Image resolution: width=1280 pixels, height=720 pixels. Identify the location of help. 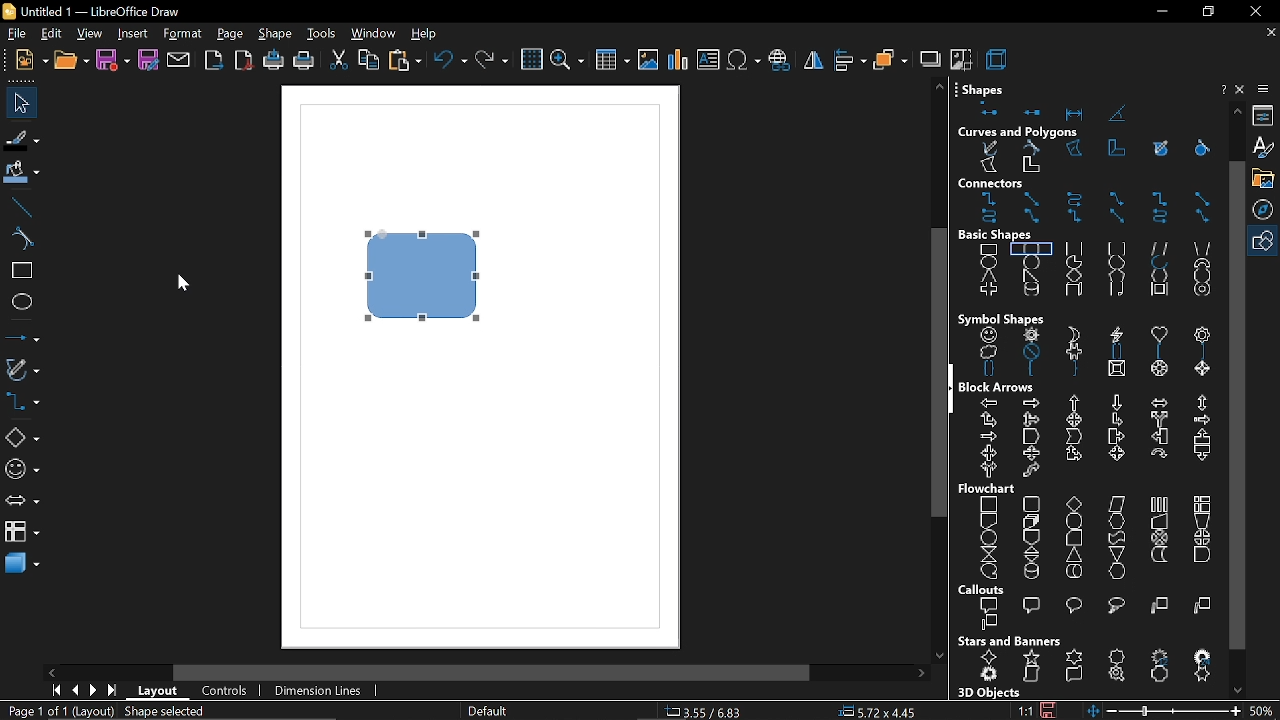
(1221, 90).